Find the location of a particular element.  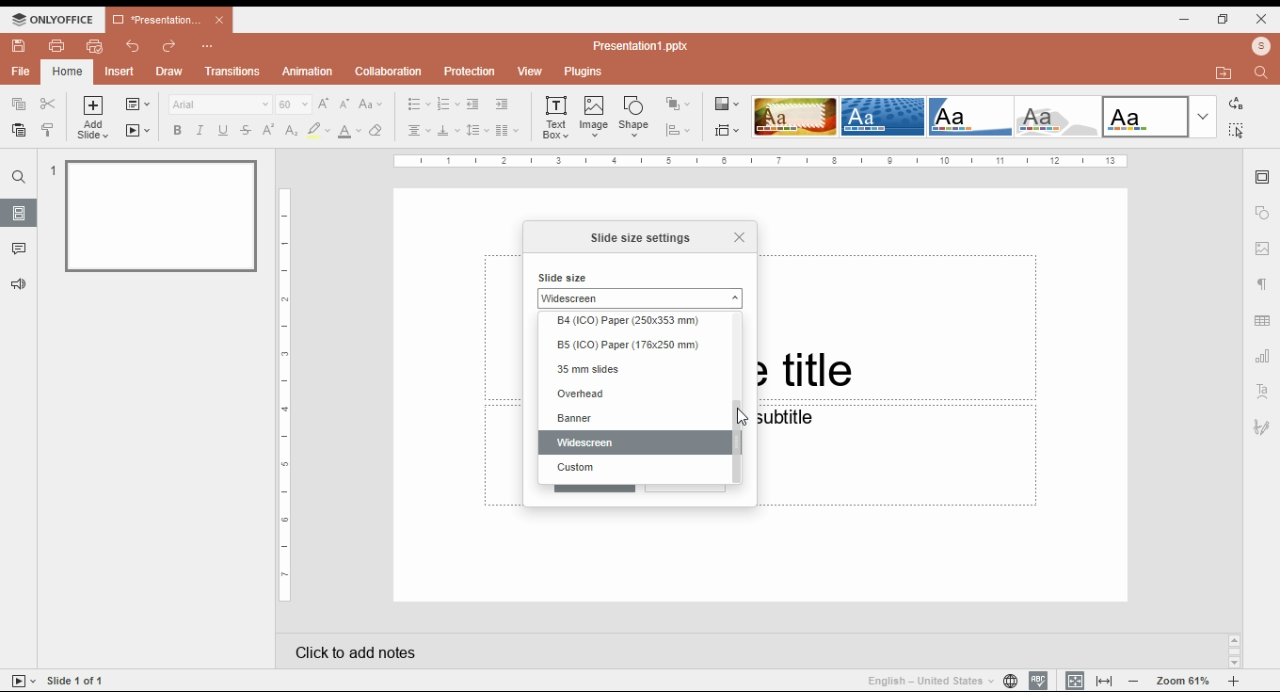

cut is located at coordinates (49, 103).